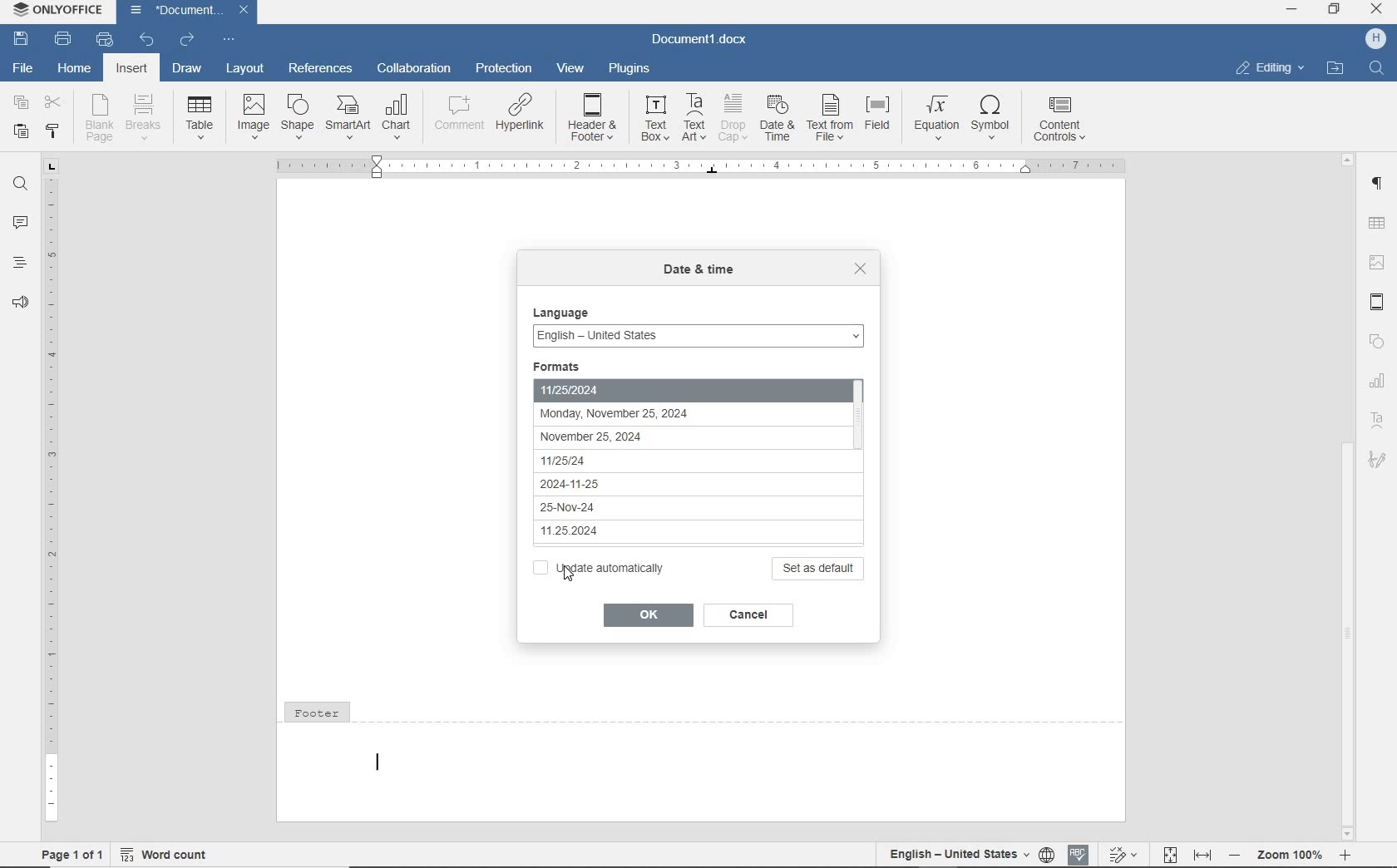  I want to click on minimize, so click(1291, 11).